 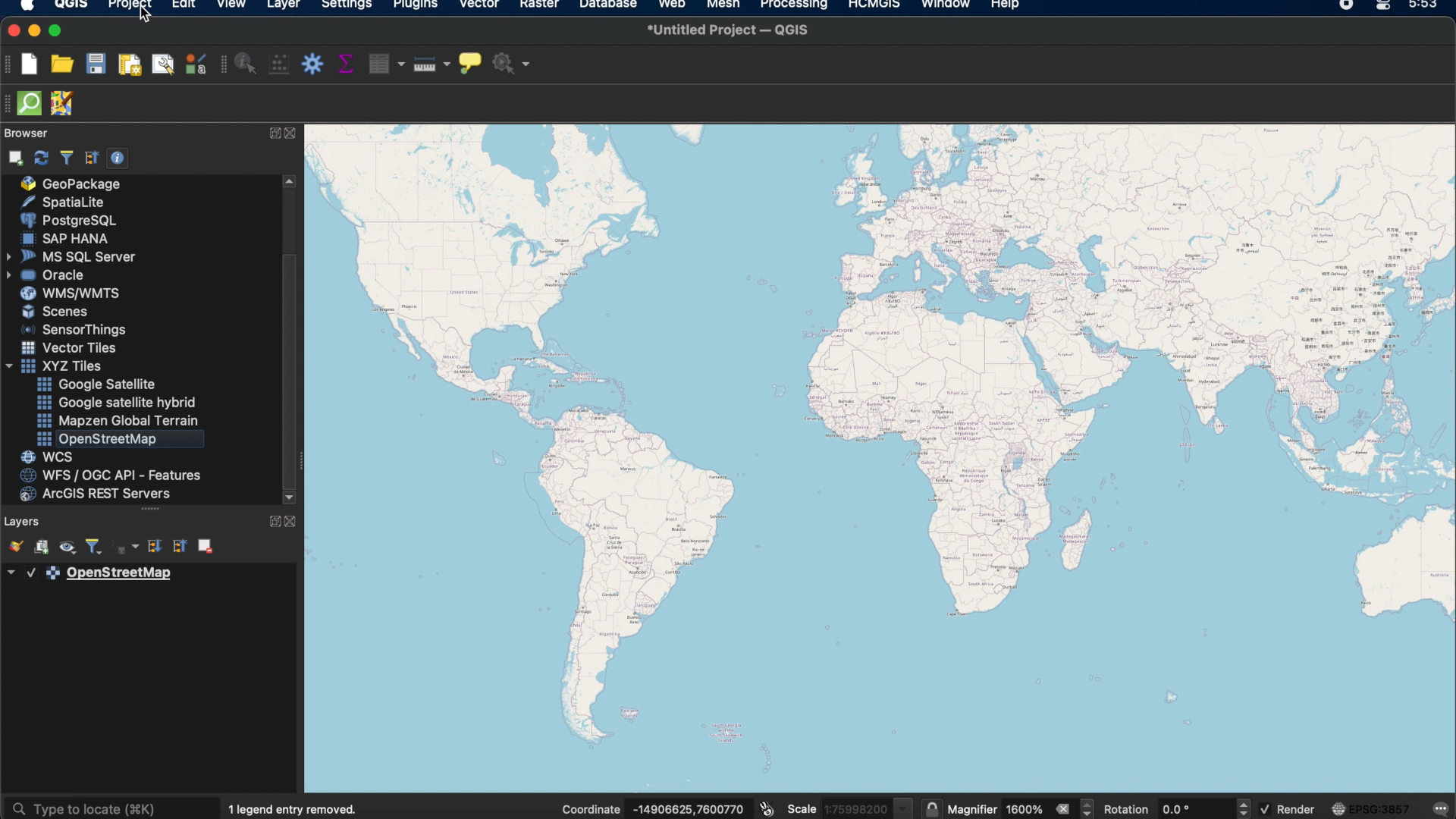 What do you see at coordinates (12, 29) in the screenshot?
I see `close` at bounding box center [12, 29].